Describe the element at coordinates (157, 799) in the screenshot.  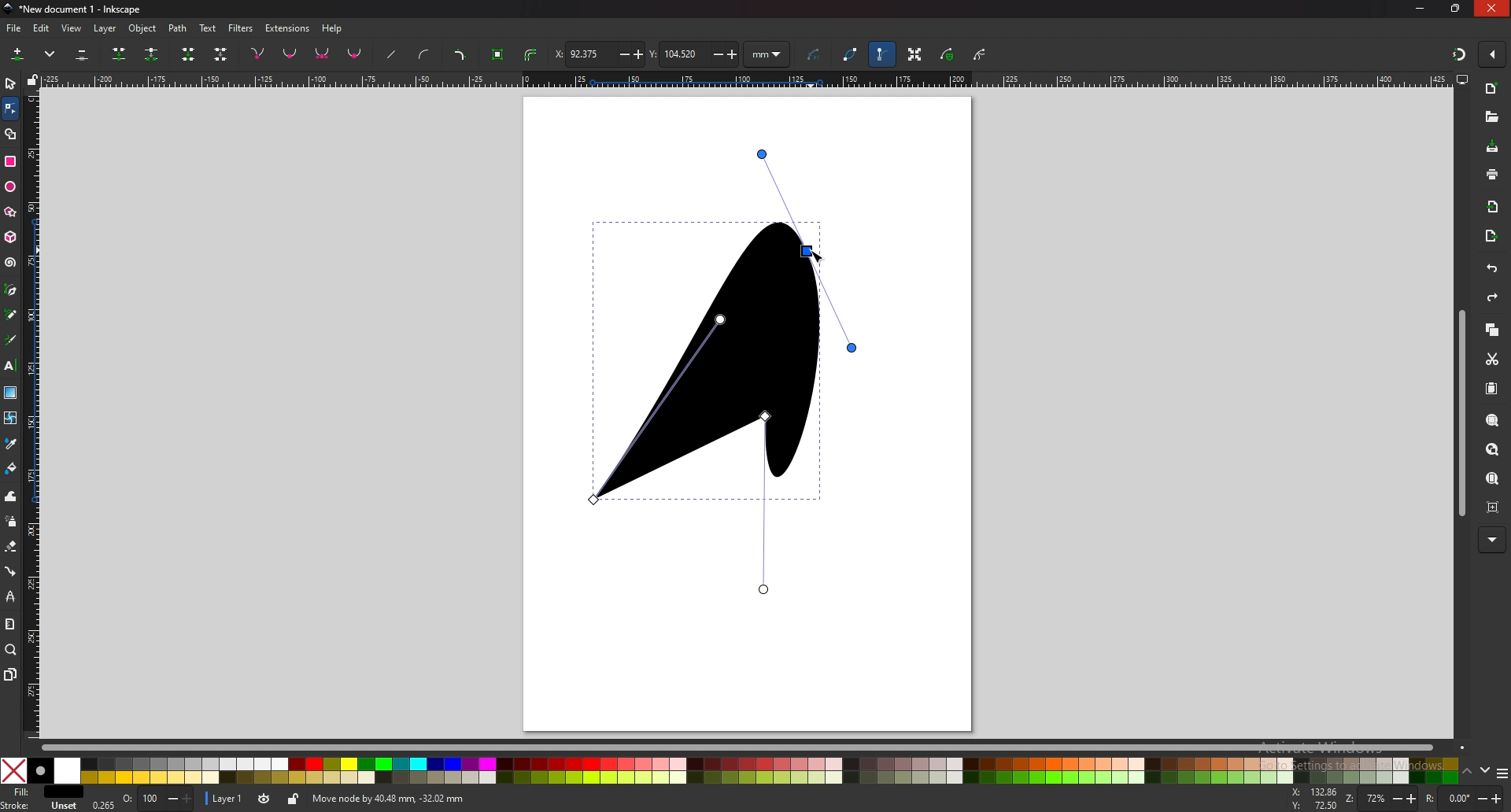
I see `opacity` at that location.